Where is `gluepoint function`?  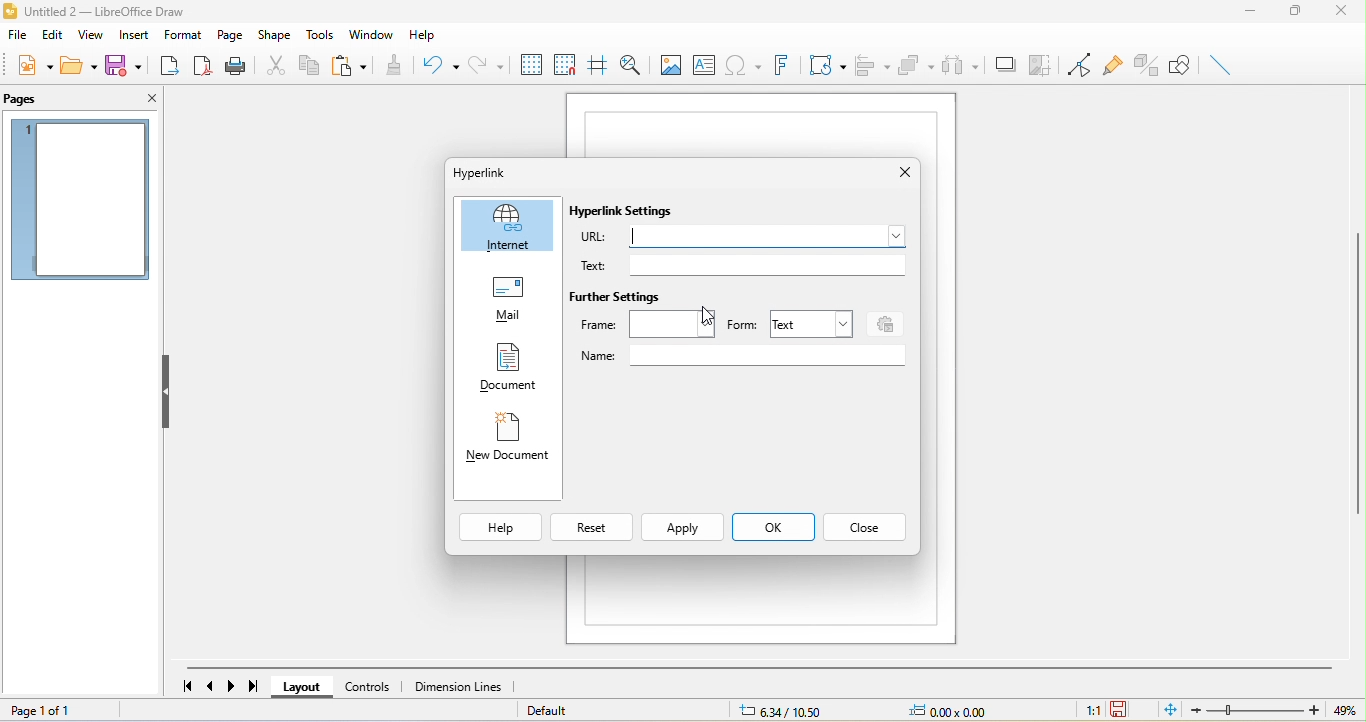 gluepoint function is located at coordinates (1110, 65).